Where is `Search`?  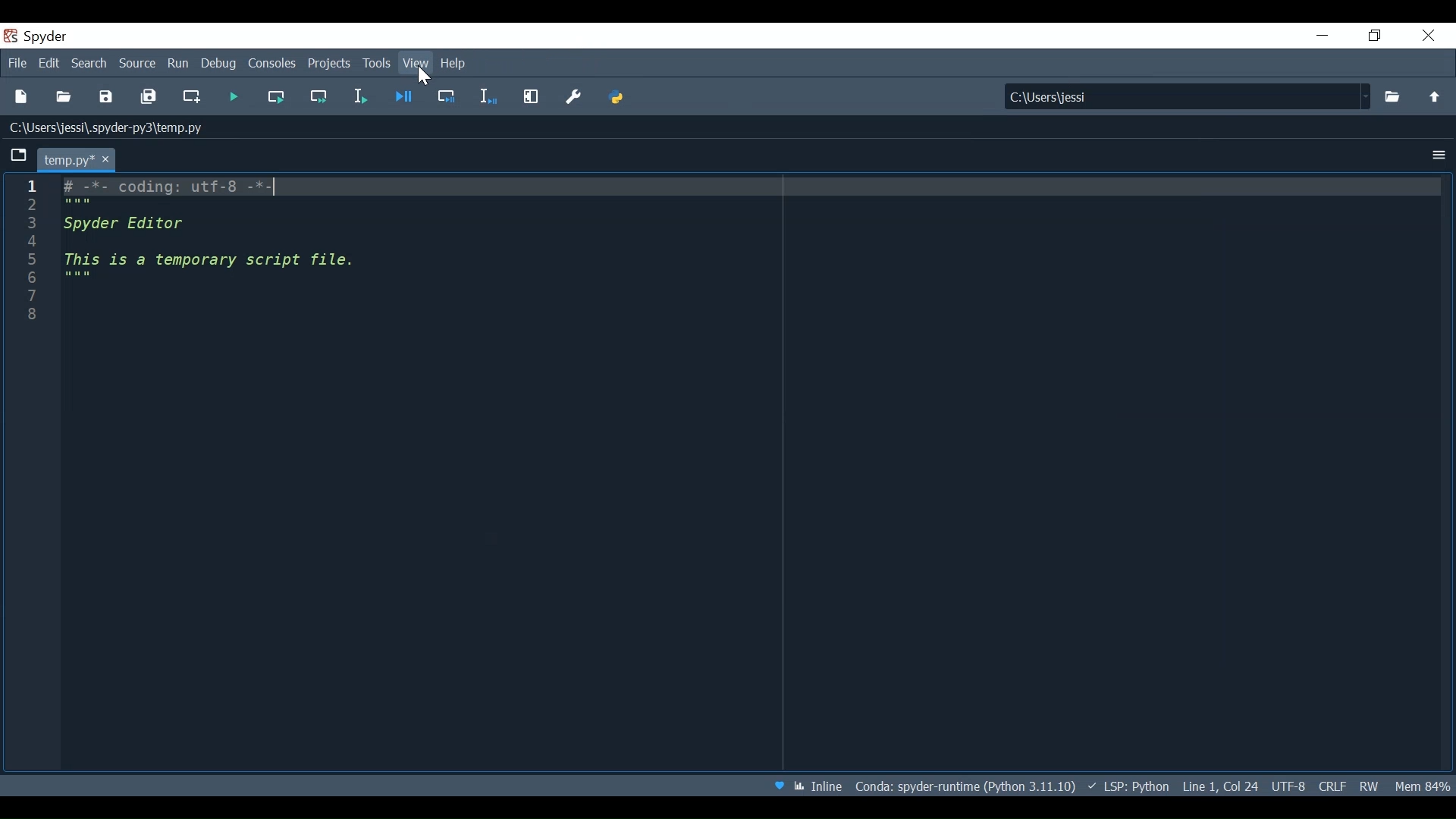 Search is located at coordinates (89, 64).